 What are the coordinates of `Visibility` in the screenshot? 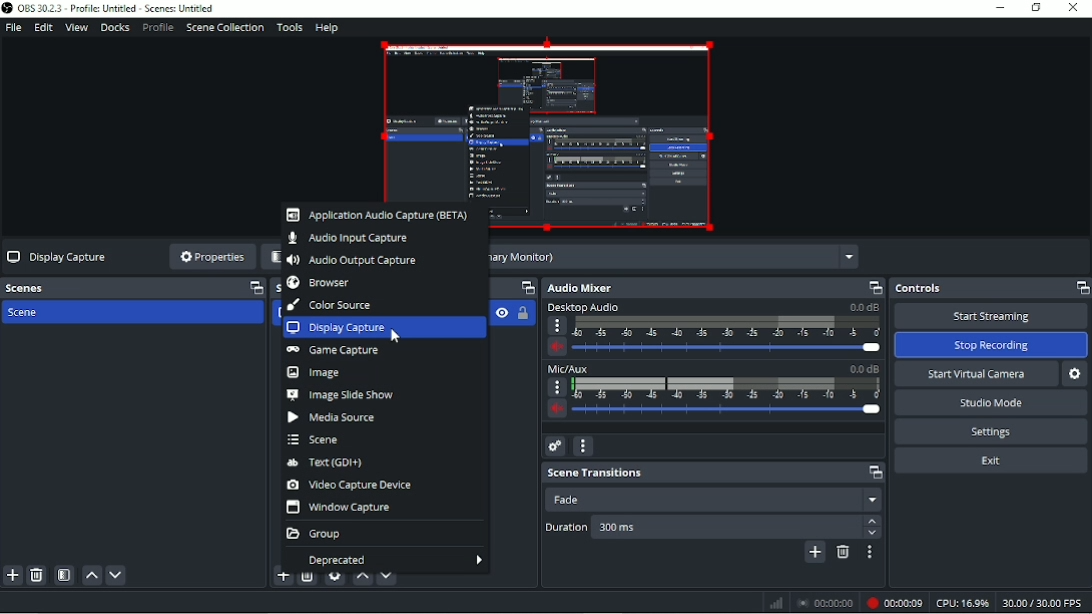 It's located at (500, 312).